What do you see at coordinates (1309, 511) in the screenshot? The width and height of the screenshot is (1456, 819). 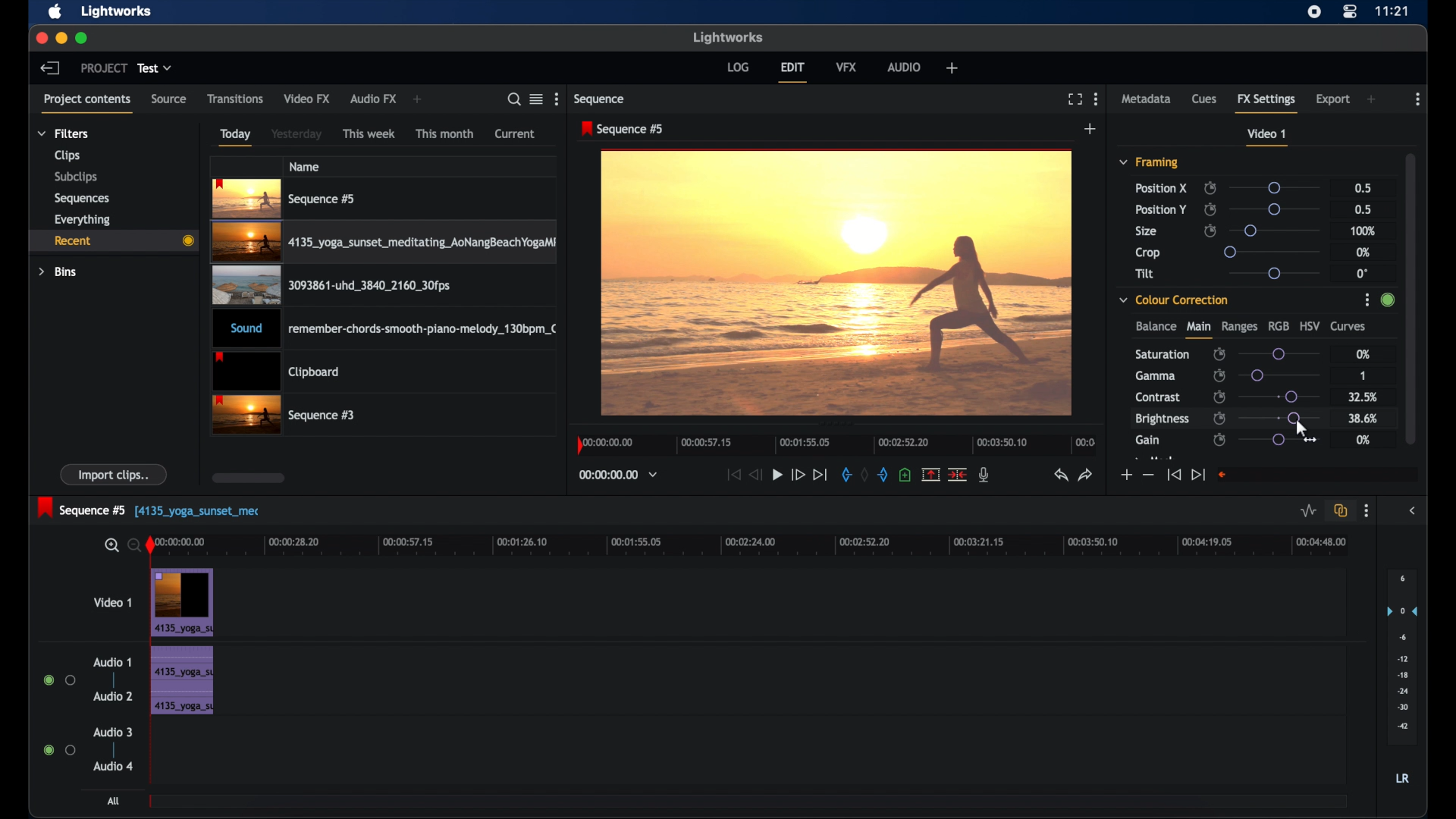 I see `toggle audio levels editing` at bounding box center [1309, 511].